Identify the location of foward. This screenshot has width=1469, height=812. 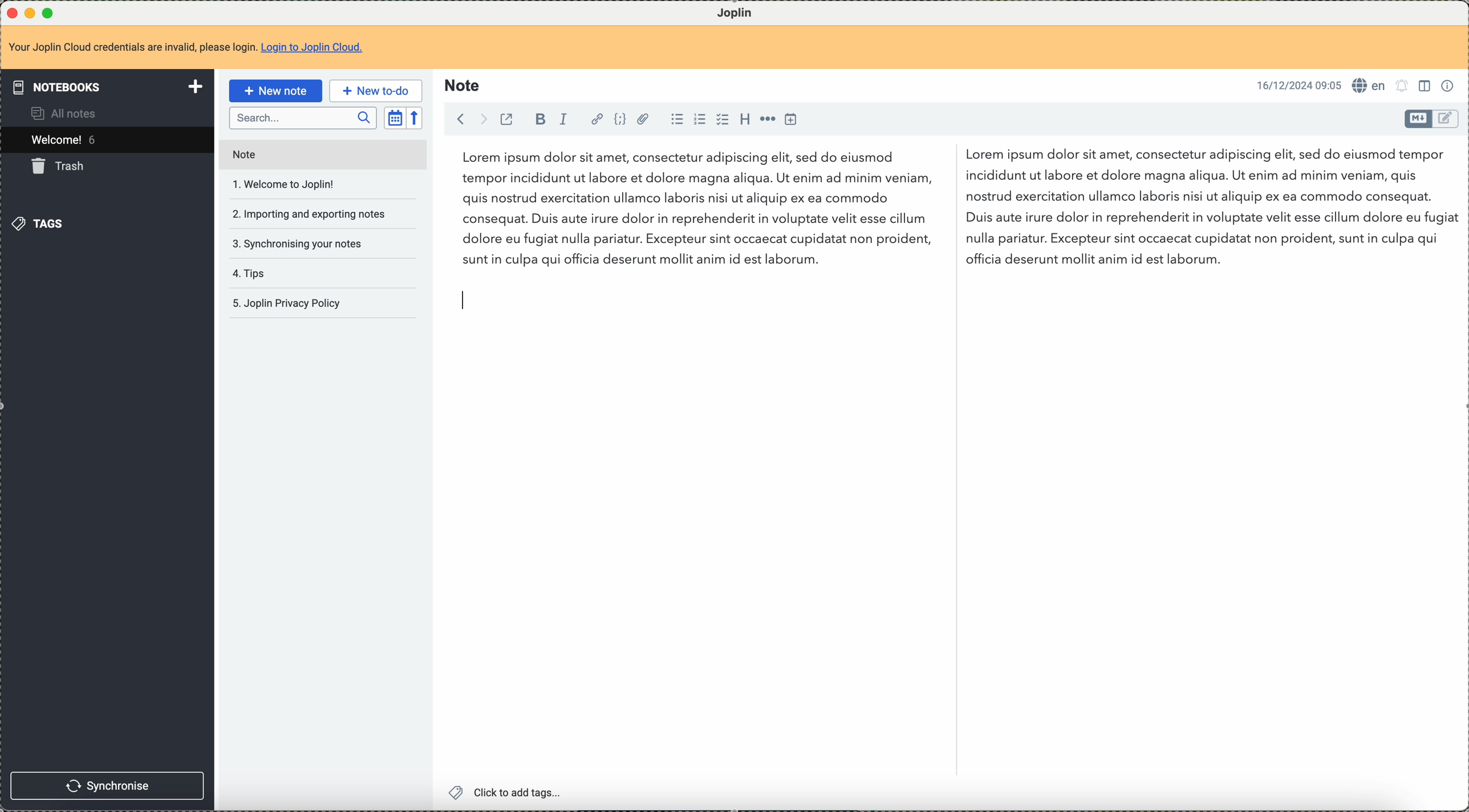
(480, 119).